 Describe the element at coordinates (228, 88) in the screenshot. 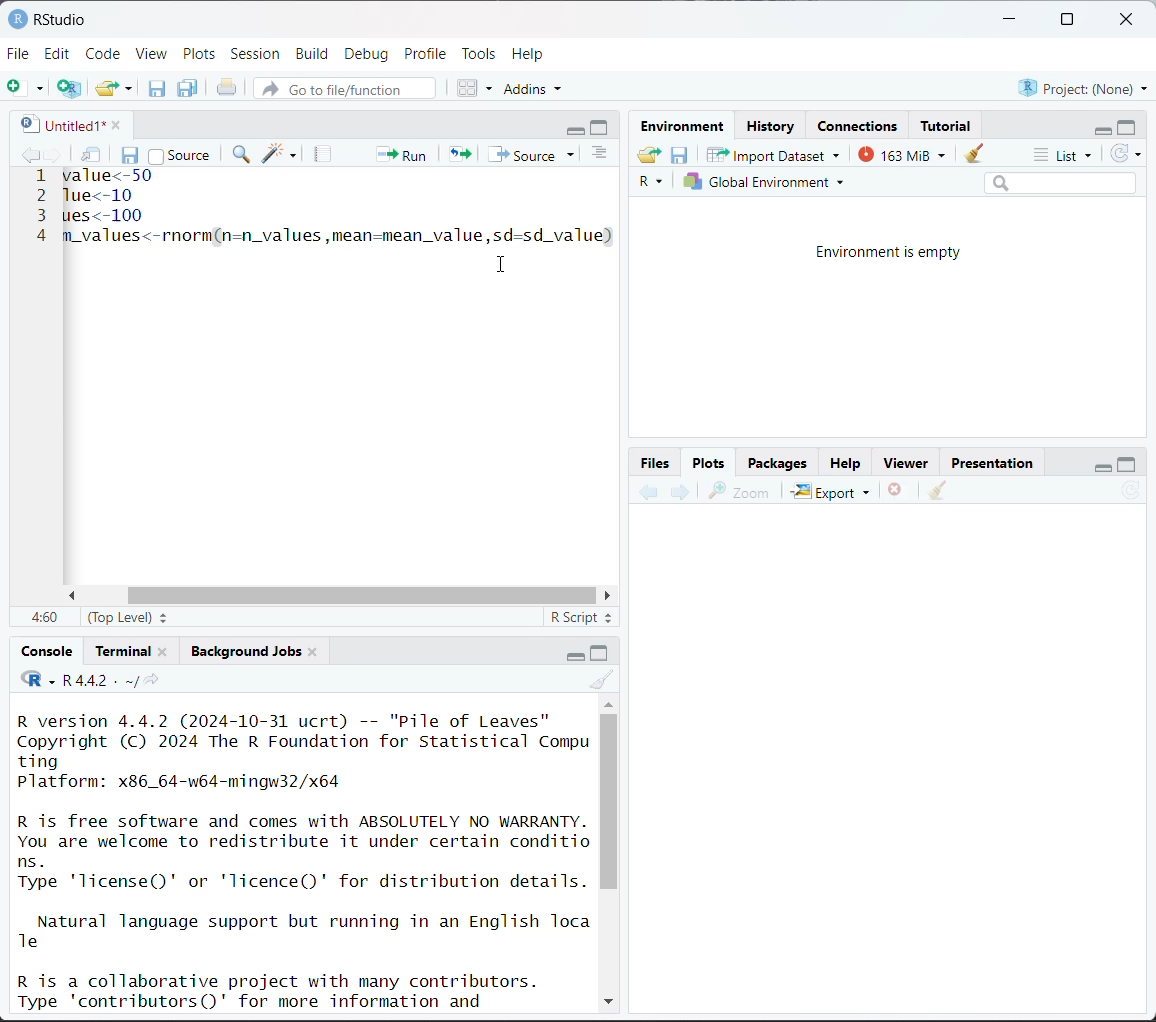

I see `print the current file` at that location.